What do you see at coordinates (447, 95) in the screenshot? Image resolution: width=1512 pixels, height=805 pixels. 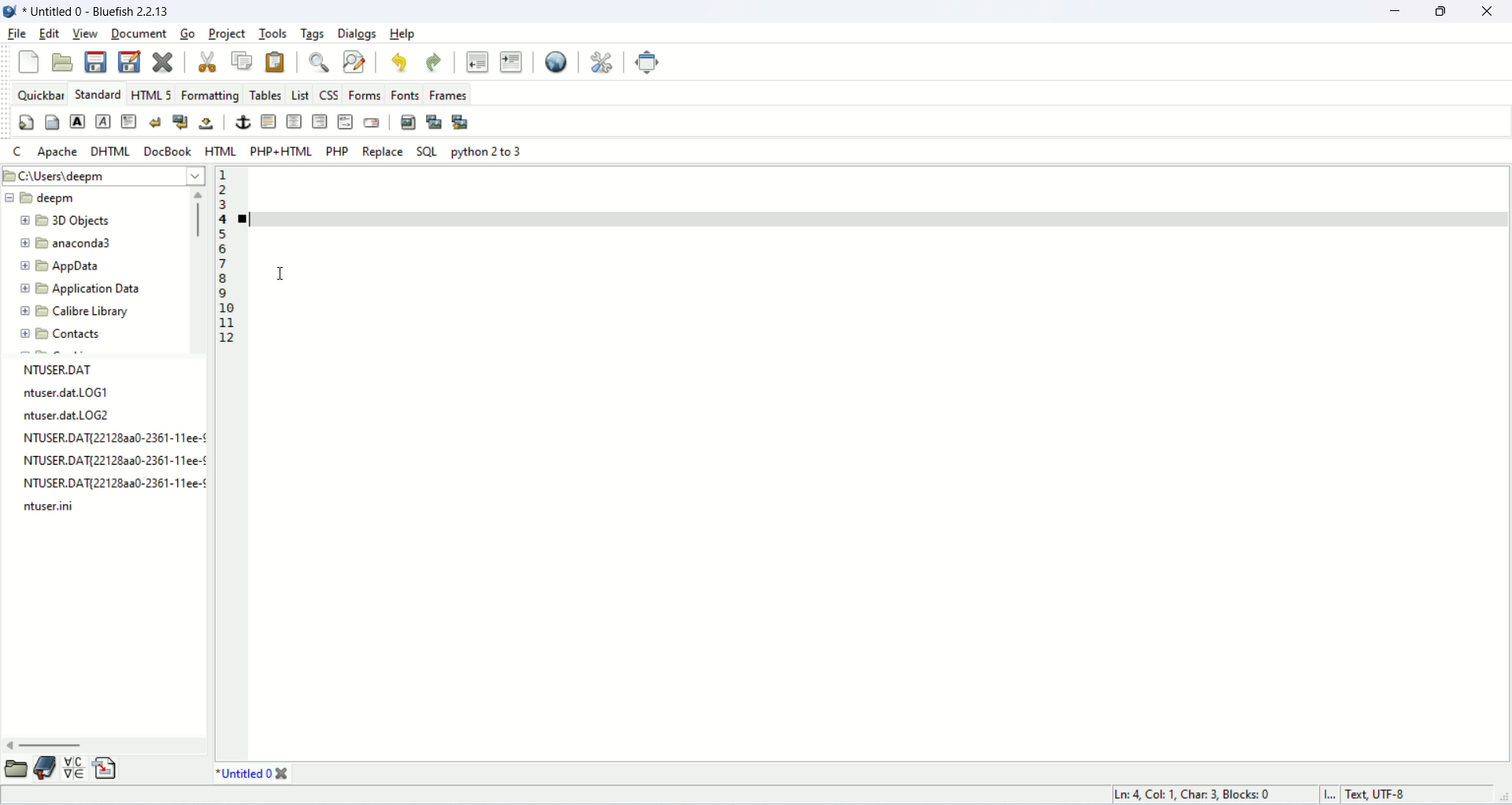 I see `frames` at bounding box center [447, 95].